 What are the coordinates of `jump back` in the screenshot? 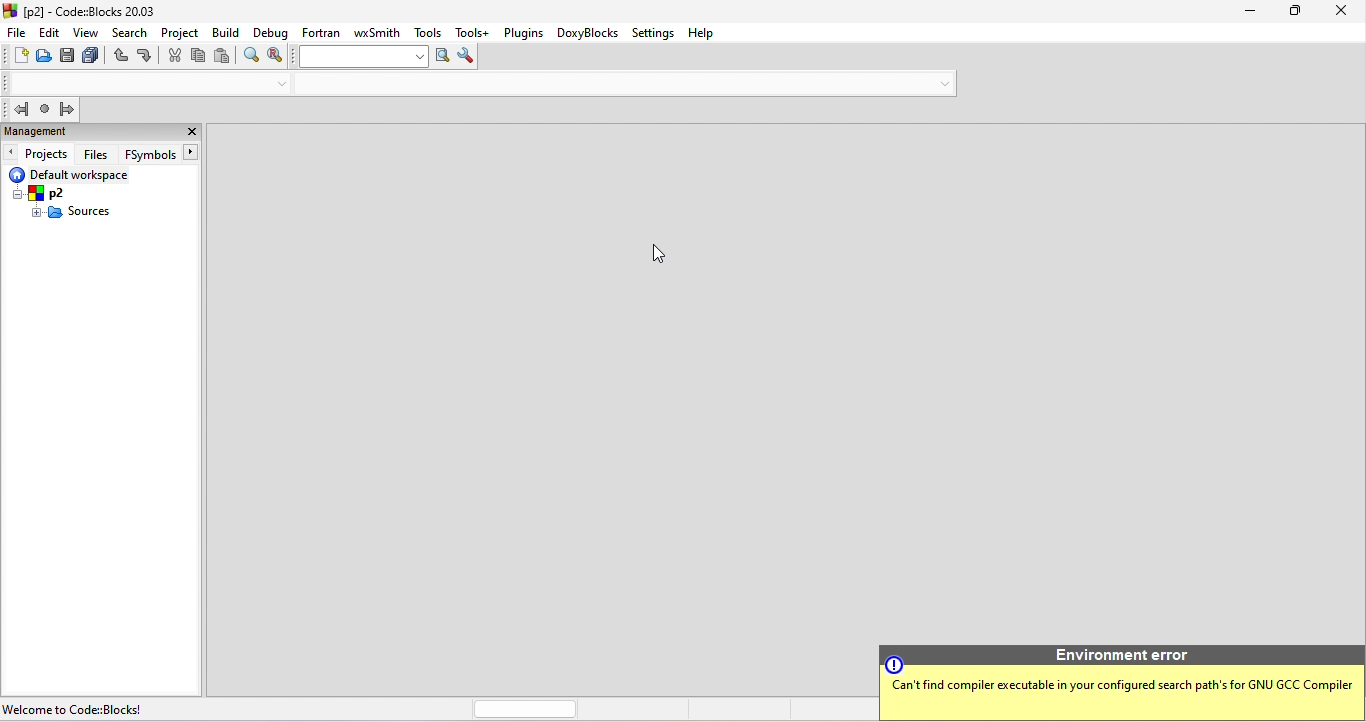 It's located at (21, 111).